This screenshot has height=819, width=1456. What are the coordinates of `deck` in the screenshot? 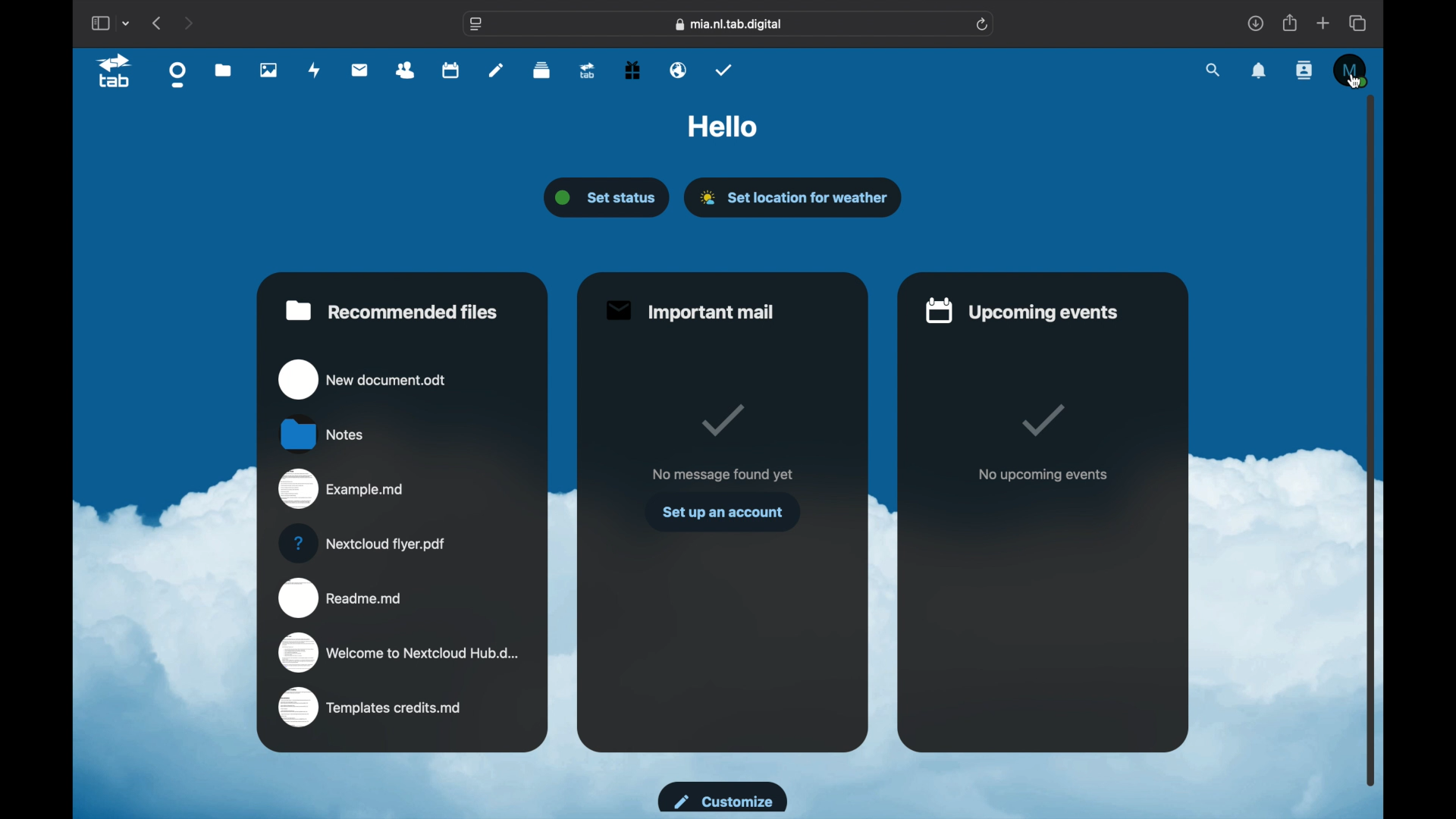 It's located at (541, 71).